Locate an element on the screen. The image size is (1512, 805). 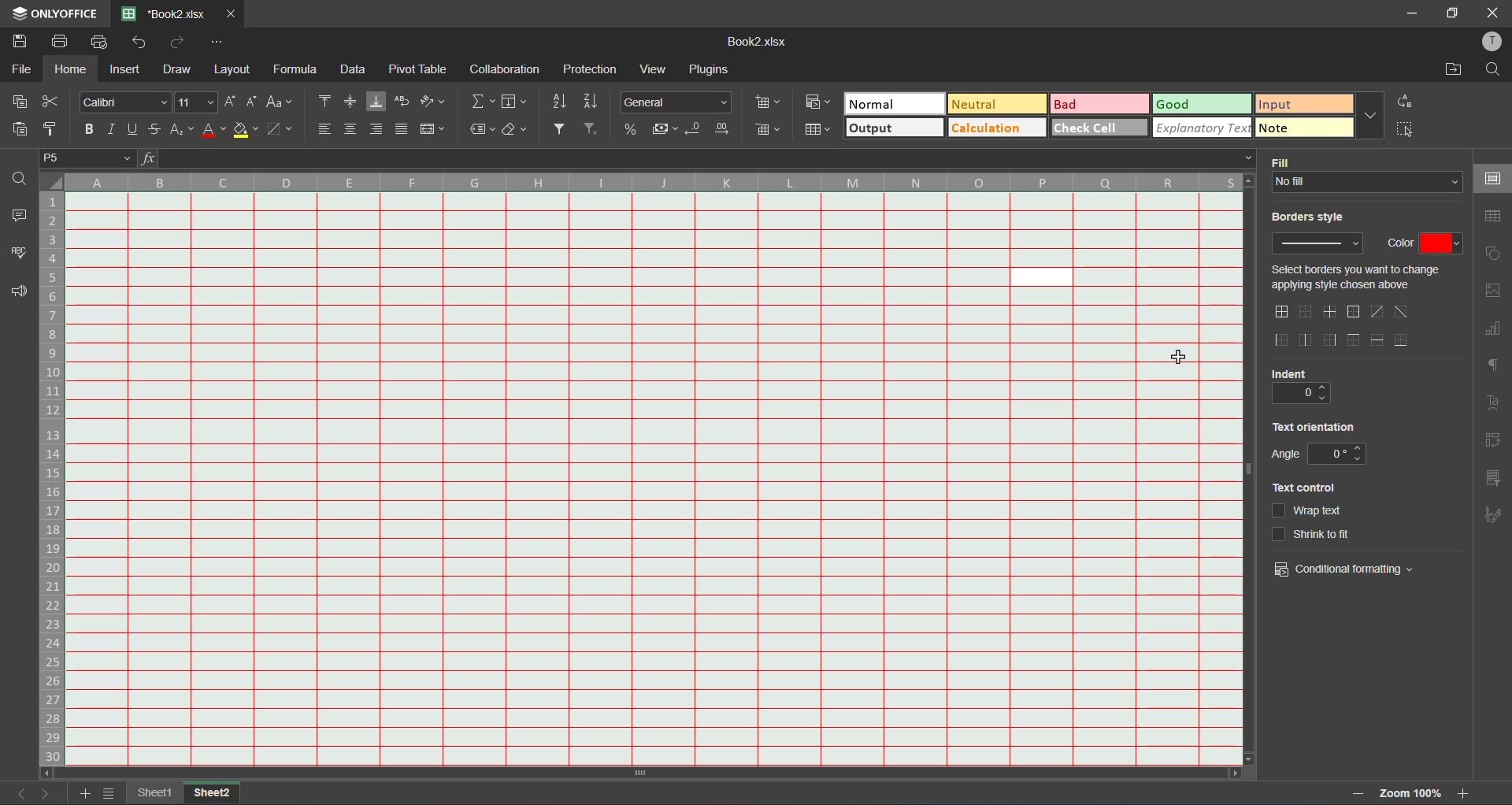
insert cells is located at coordinates (765, 103).